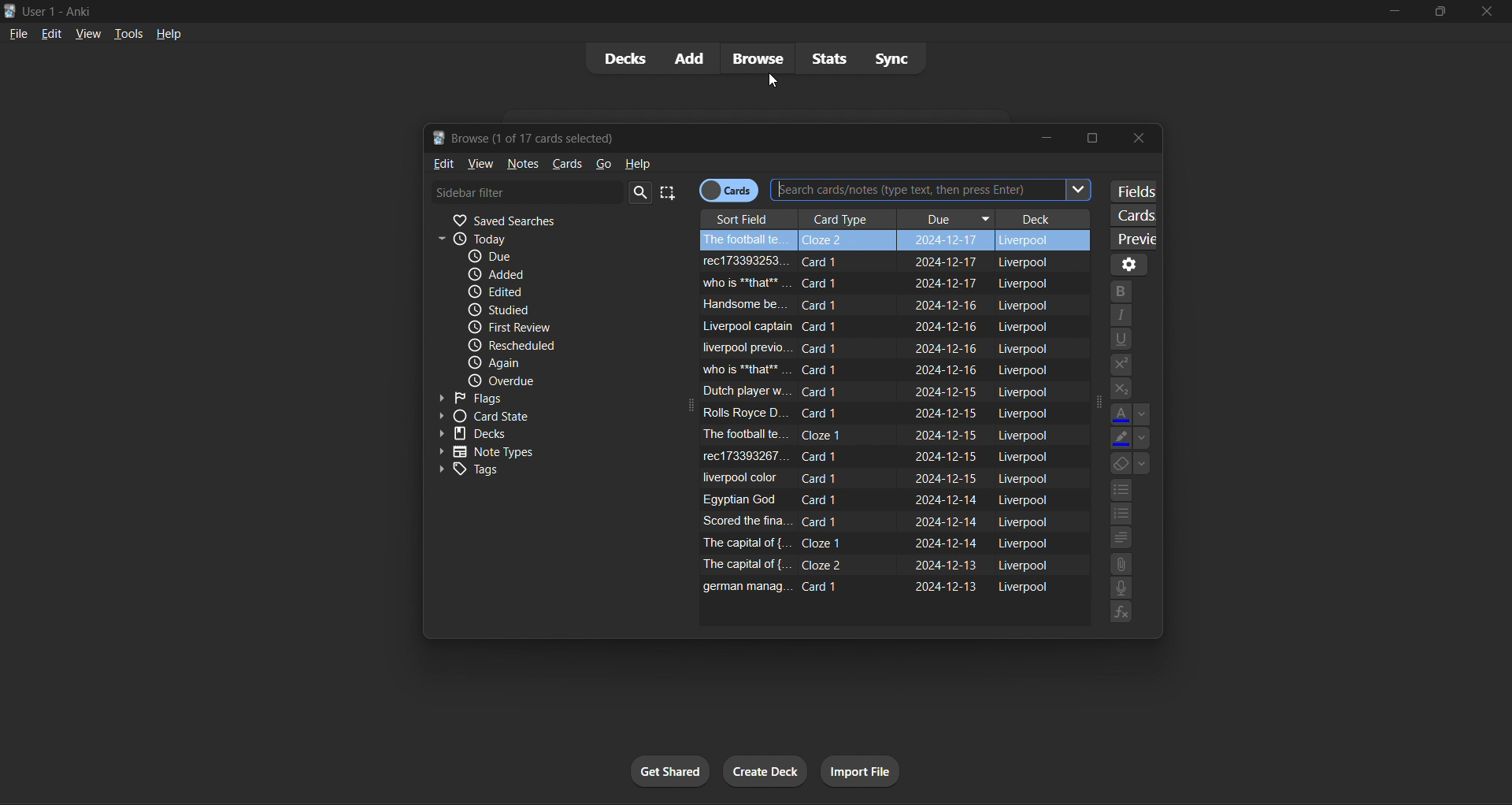  I want to click on liverpool, so click(1029, 263).